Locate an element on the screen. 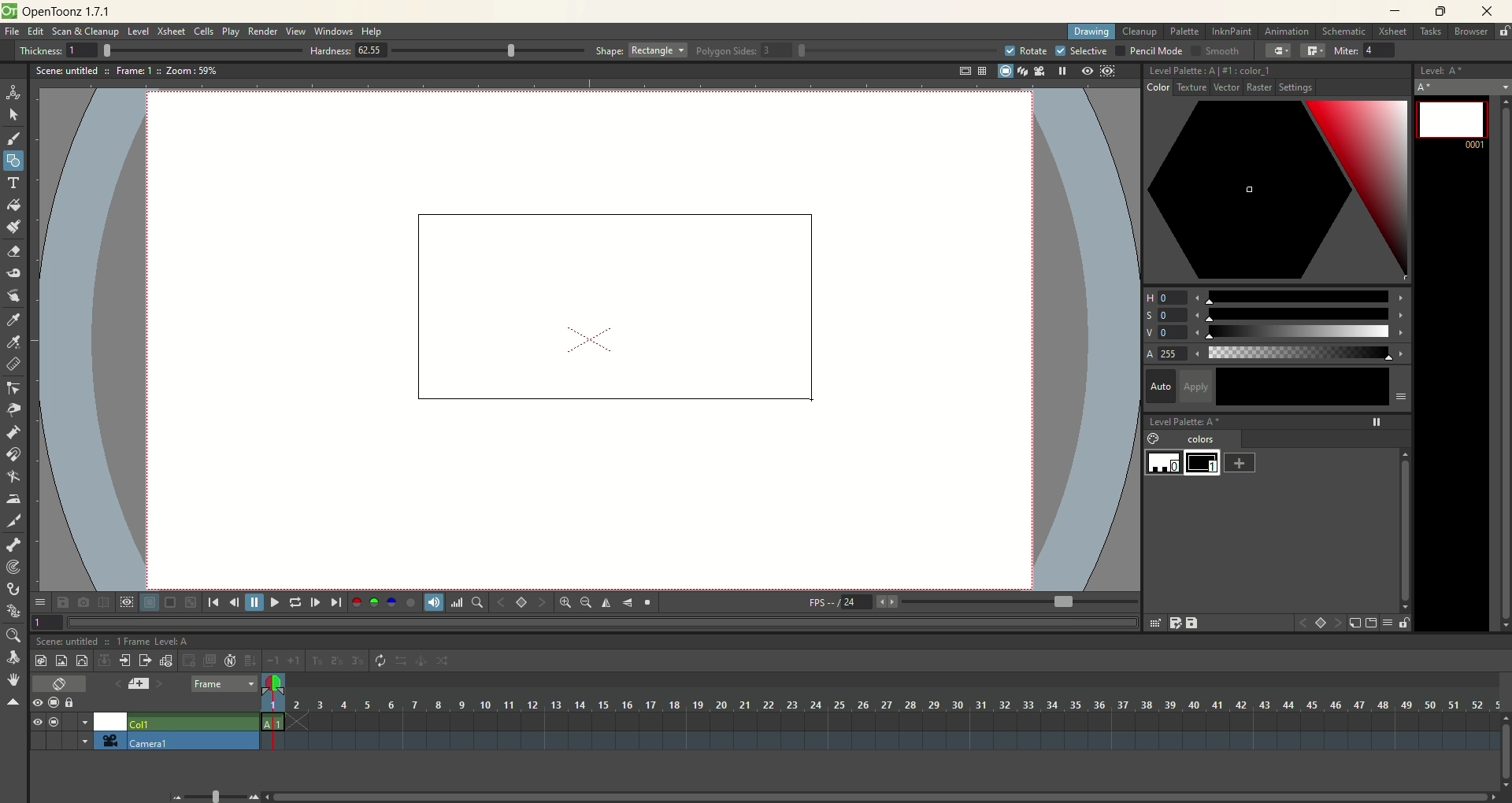  toggle Xsheet is located at coordinates (61, 685).